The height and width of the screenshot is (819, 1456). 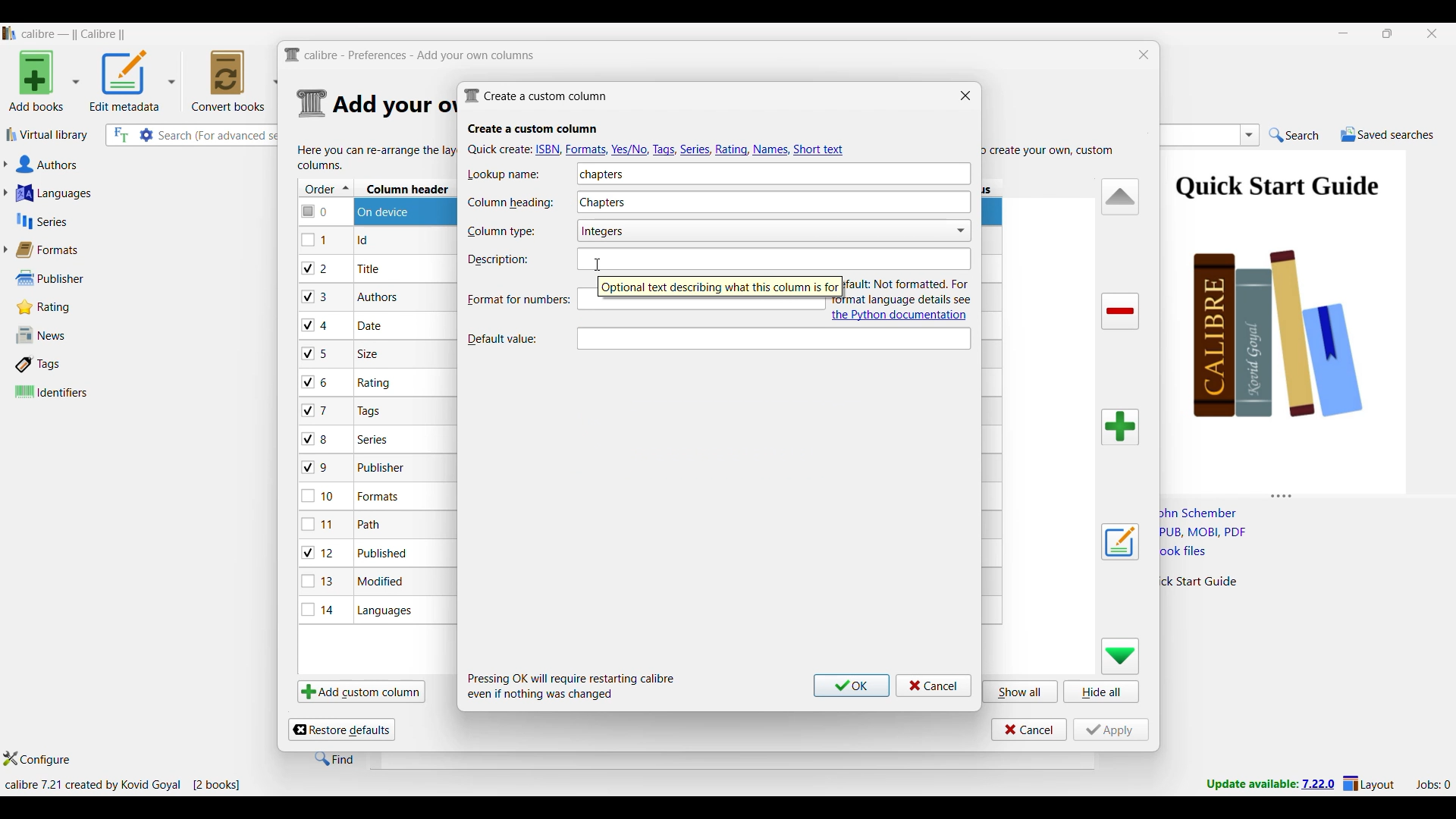 I want to click on checkbox - 6, so click(x=318, y=383).